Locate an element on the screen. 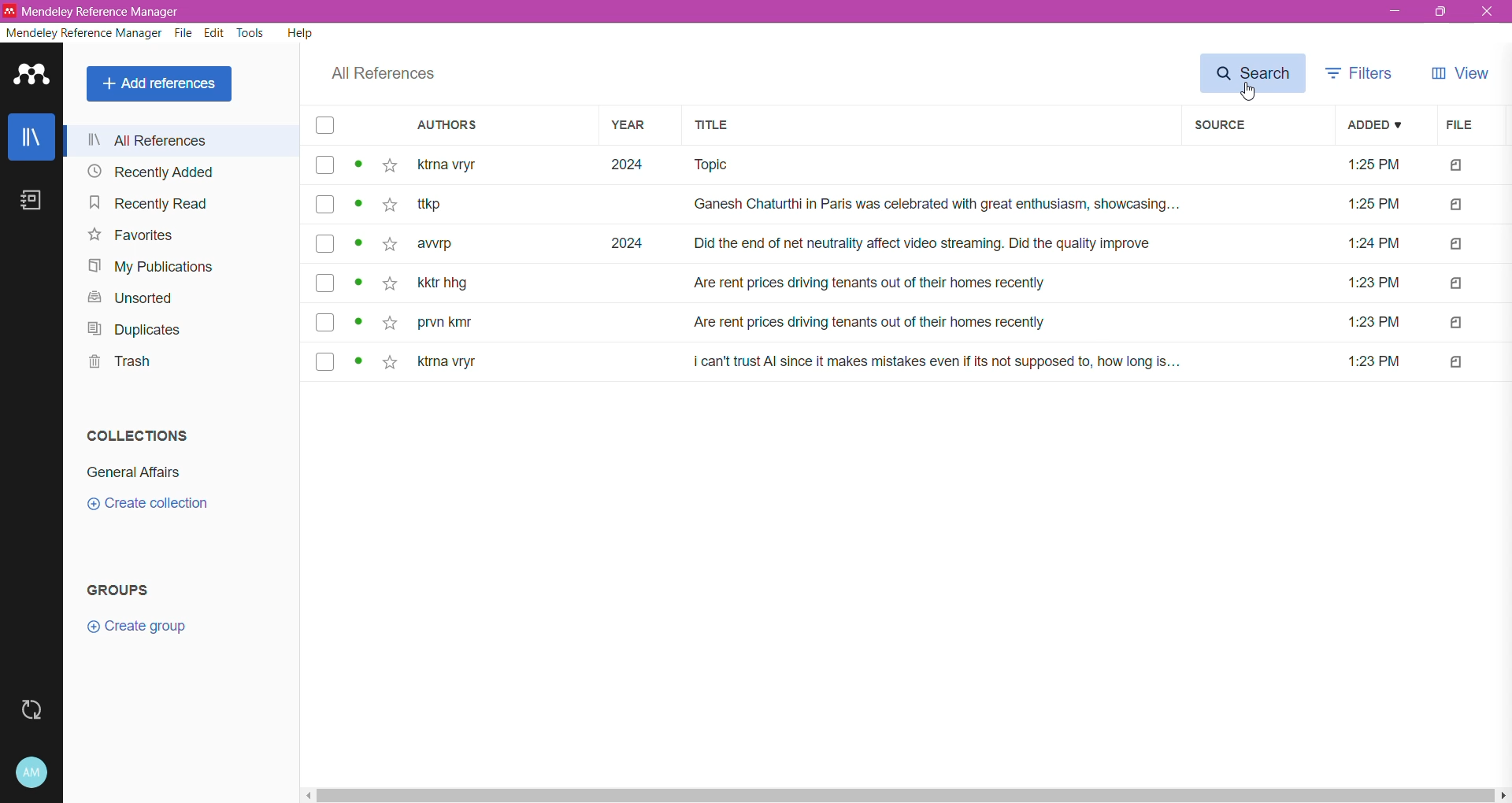  Application Logo is located at coordinates (32, 79).